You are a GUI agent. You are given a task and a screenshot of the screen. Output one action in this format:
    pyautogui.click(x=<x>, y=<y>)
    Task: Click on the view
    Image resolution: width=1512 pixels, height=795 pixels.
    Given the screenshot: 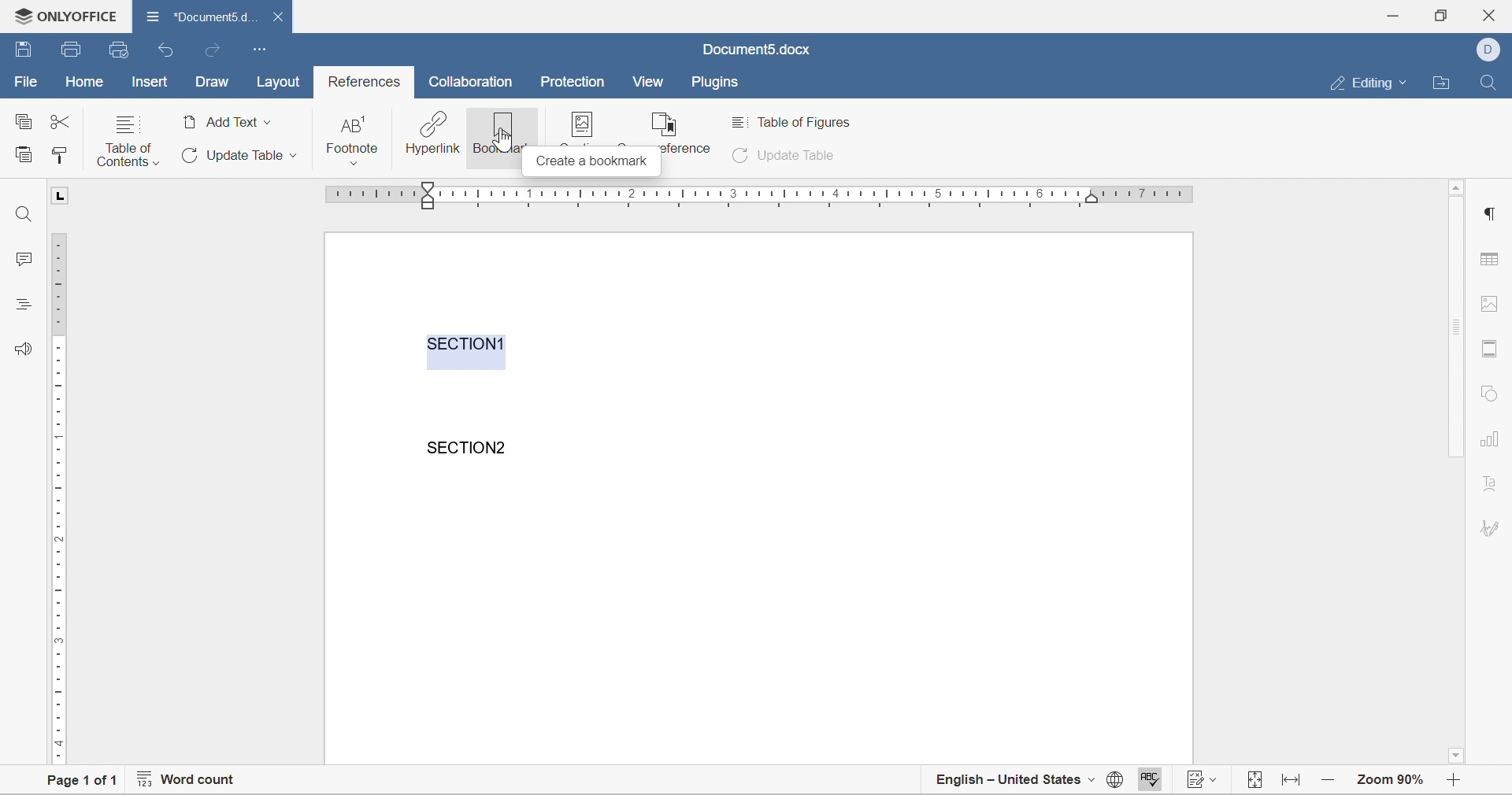 What is the action you would take?
    pyautogui.click(x=649, y=81)
    